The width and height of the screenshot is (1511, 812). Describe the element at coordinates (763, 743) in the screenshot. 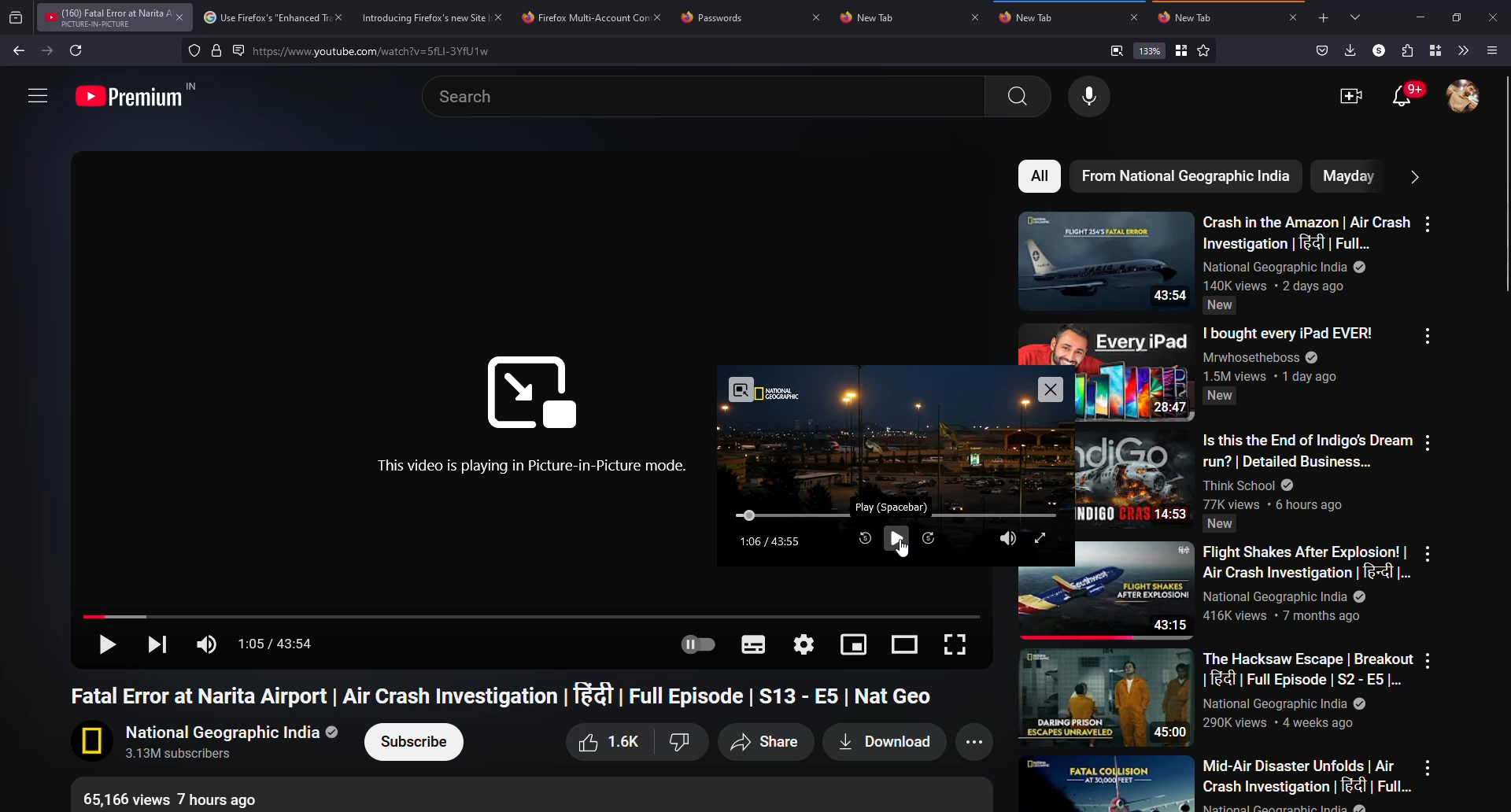

I see `share` at that location.